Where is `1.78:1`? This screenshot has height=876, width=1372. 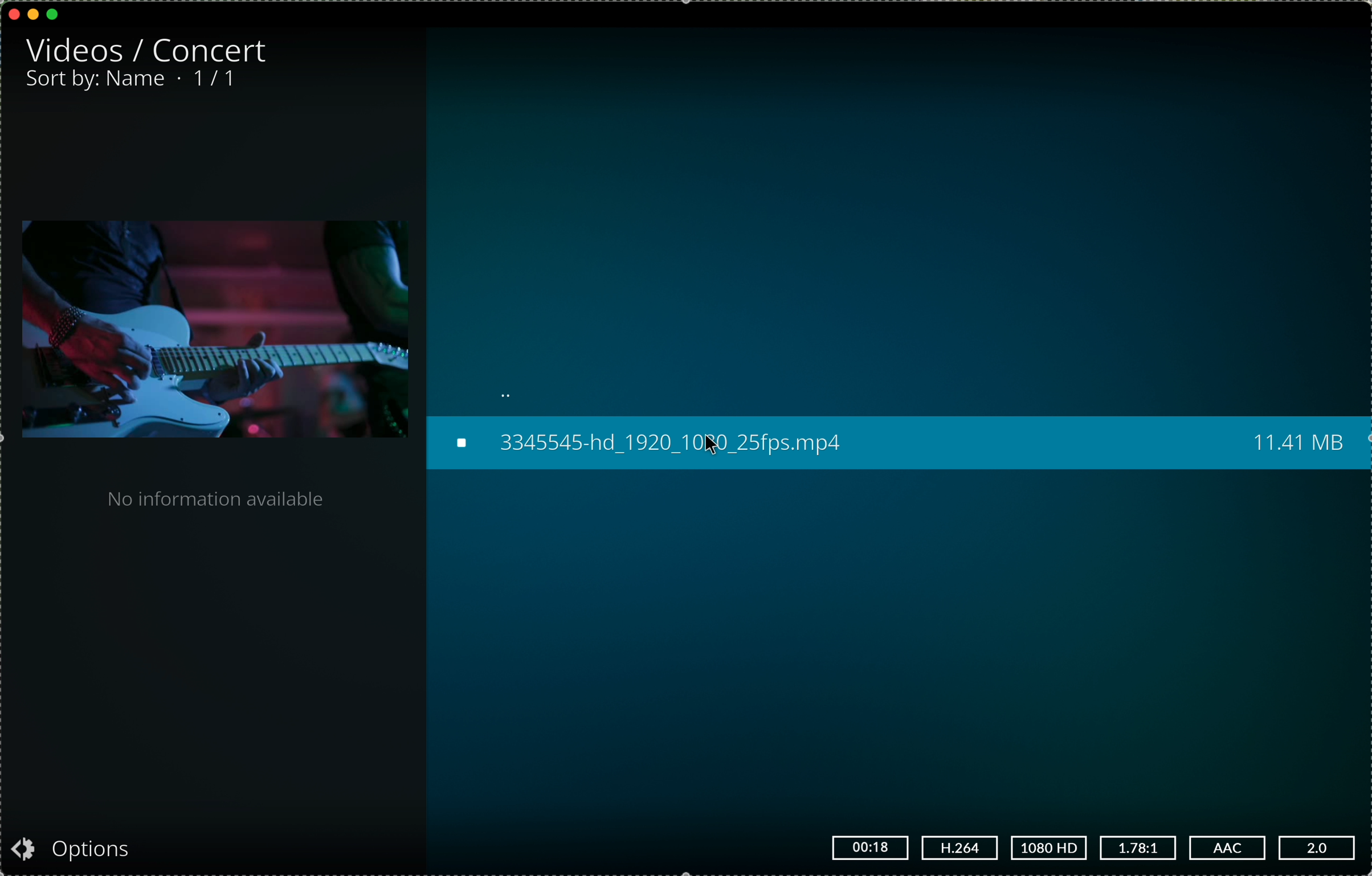
1.78:1 is located at coordinates (1138, 848).